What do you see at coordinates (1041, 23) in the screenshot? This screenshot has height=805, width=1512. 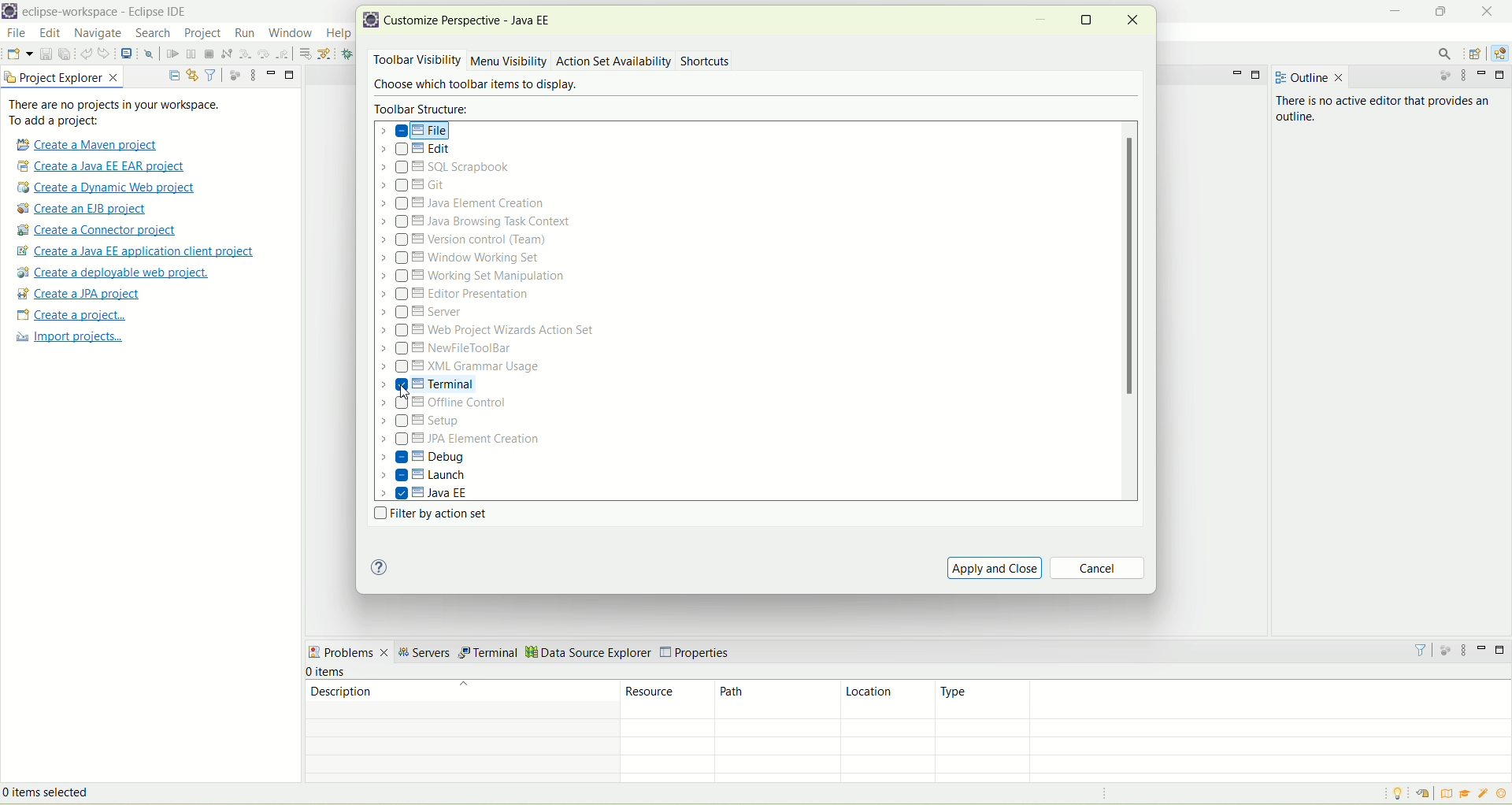 I see `minimize` at bounding box center [1041, 23].